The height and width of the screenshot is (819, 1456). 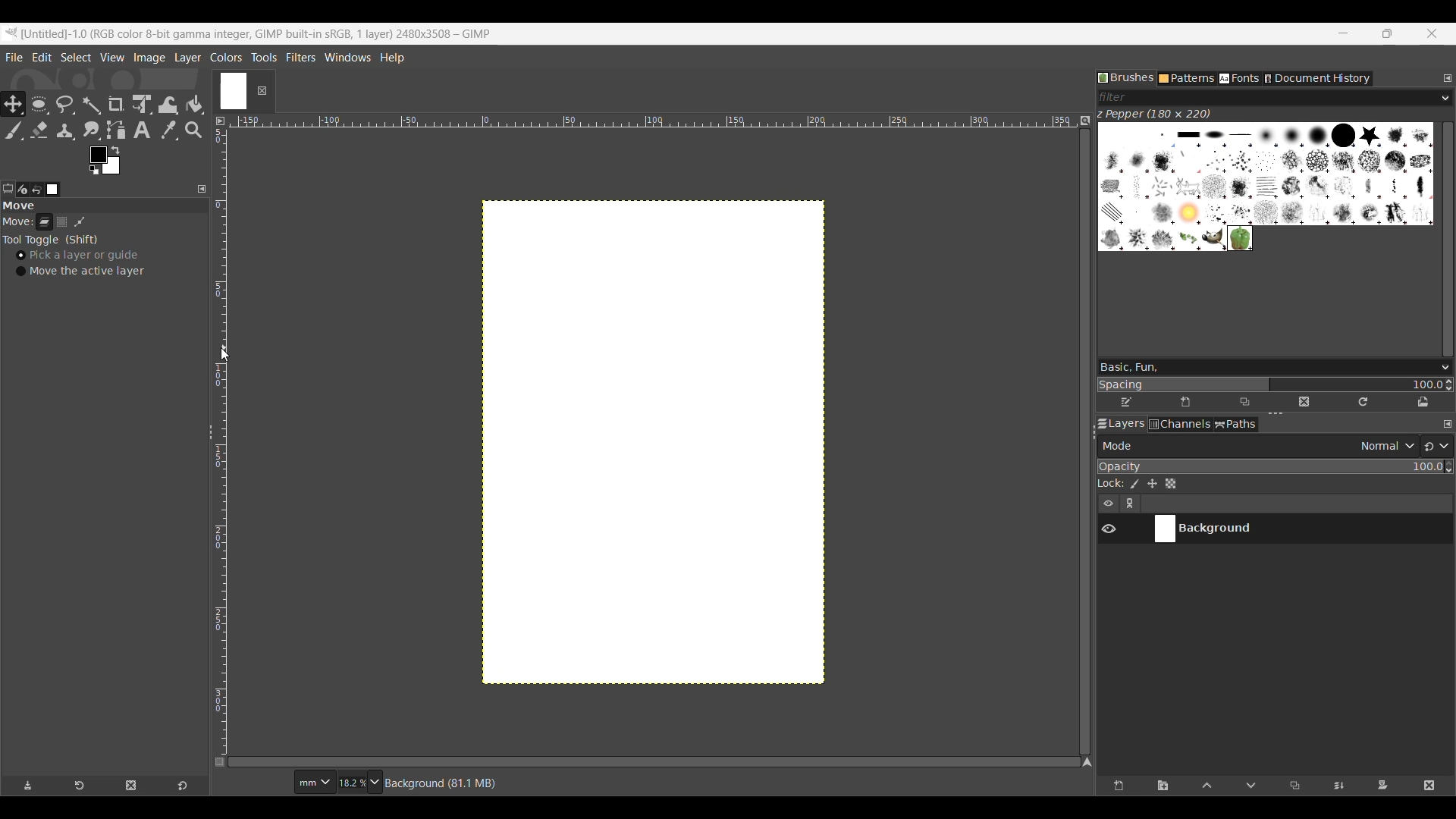 What do you see at coordinates (85, 222) in the screenshot?
I see `Patch` at bounding box center [85, 222].